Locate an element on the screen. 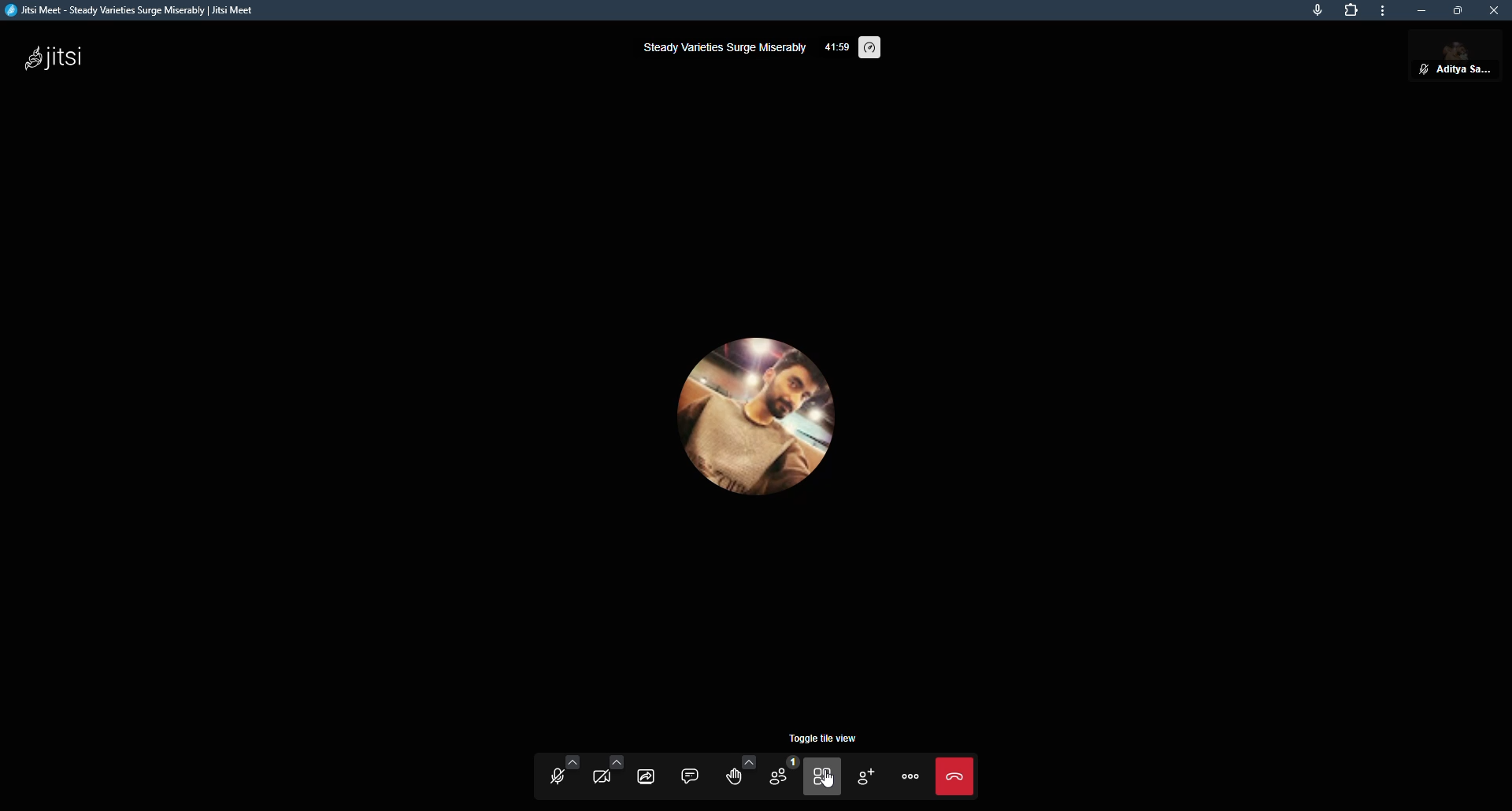 The image size is (1512, 811). close is located at coordinates (1495, 11).